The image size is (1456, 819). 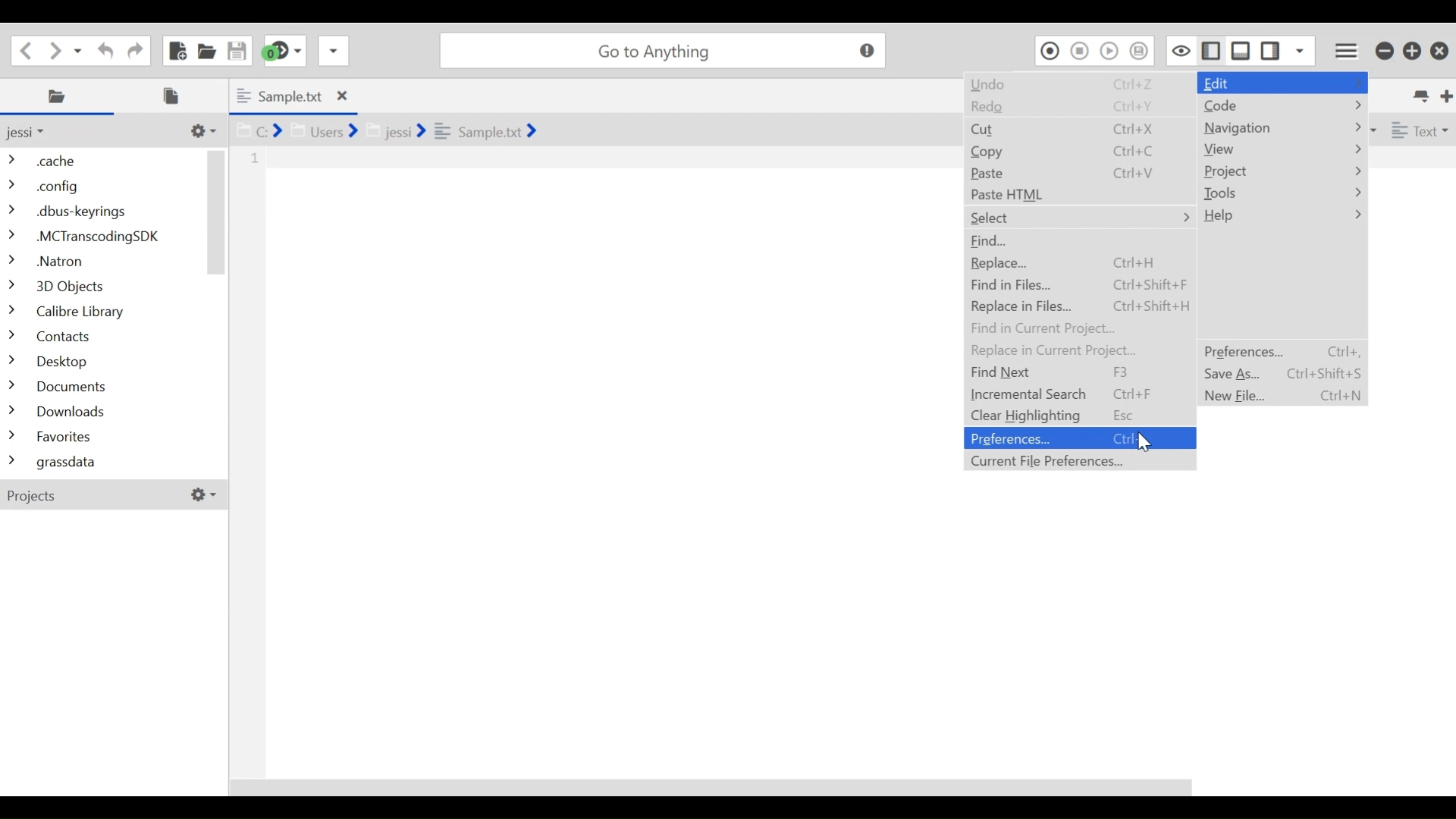 What do you see at coordinates (1078, 194) in the screenshot?
I see `Paste HTML` at bounding box center [1078, 194].